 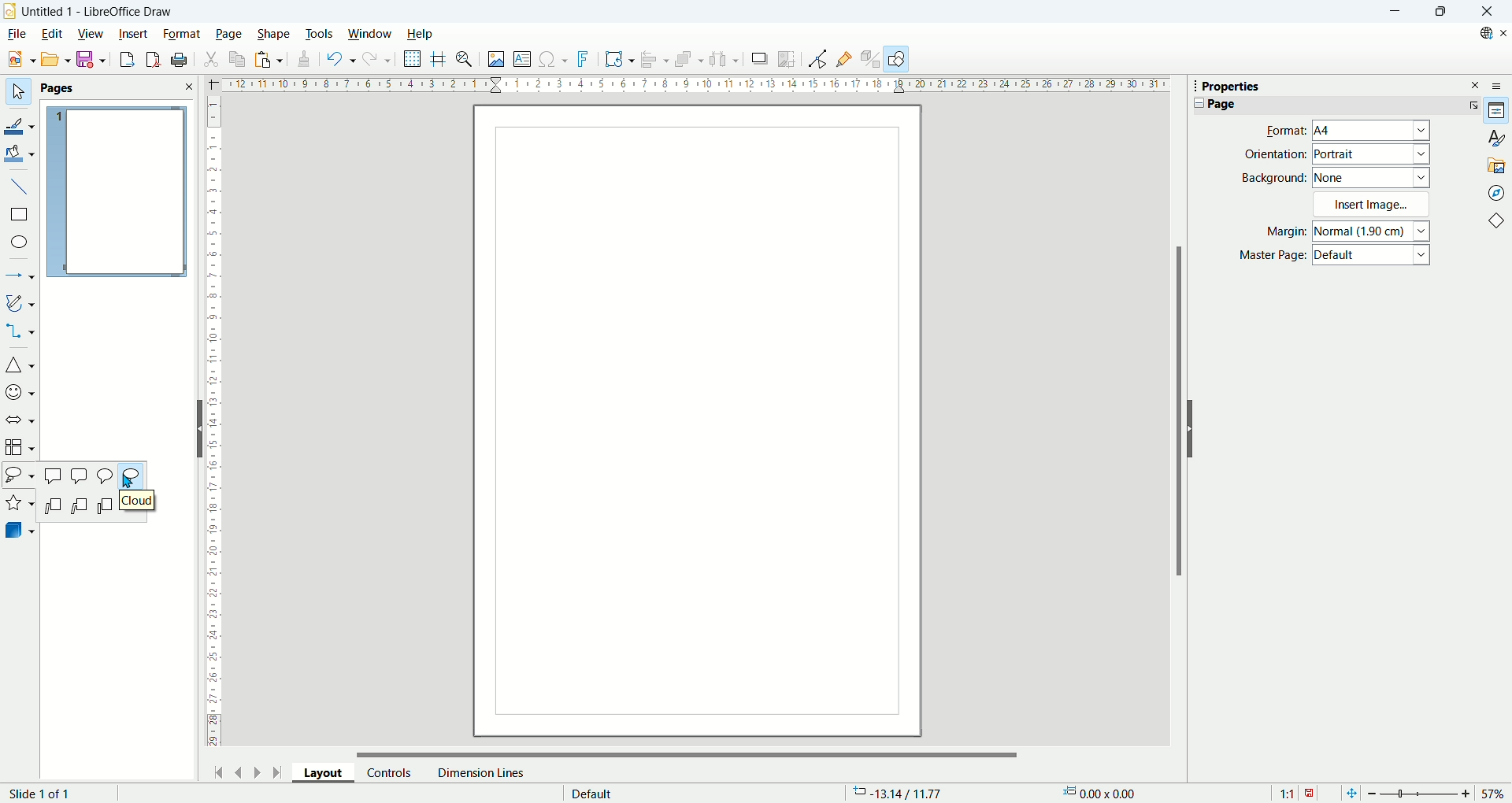 I want to click on tools, so click(x=321, y=32).